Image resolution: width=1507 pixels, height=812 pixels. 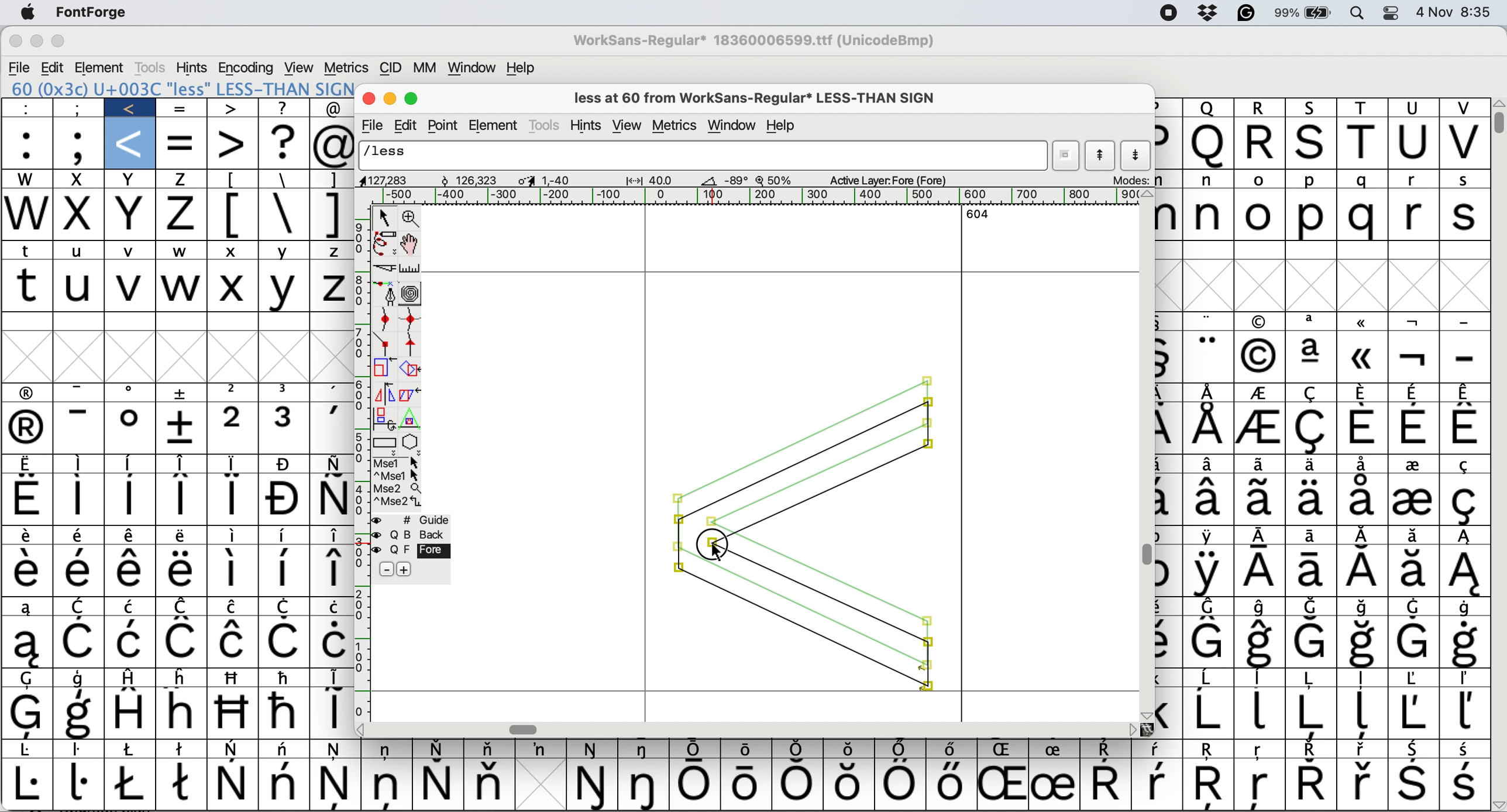 I want to click on Symbol, so click(x=1260, y=643).